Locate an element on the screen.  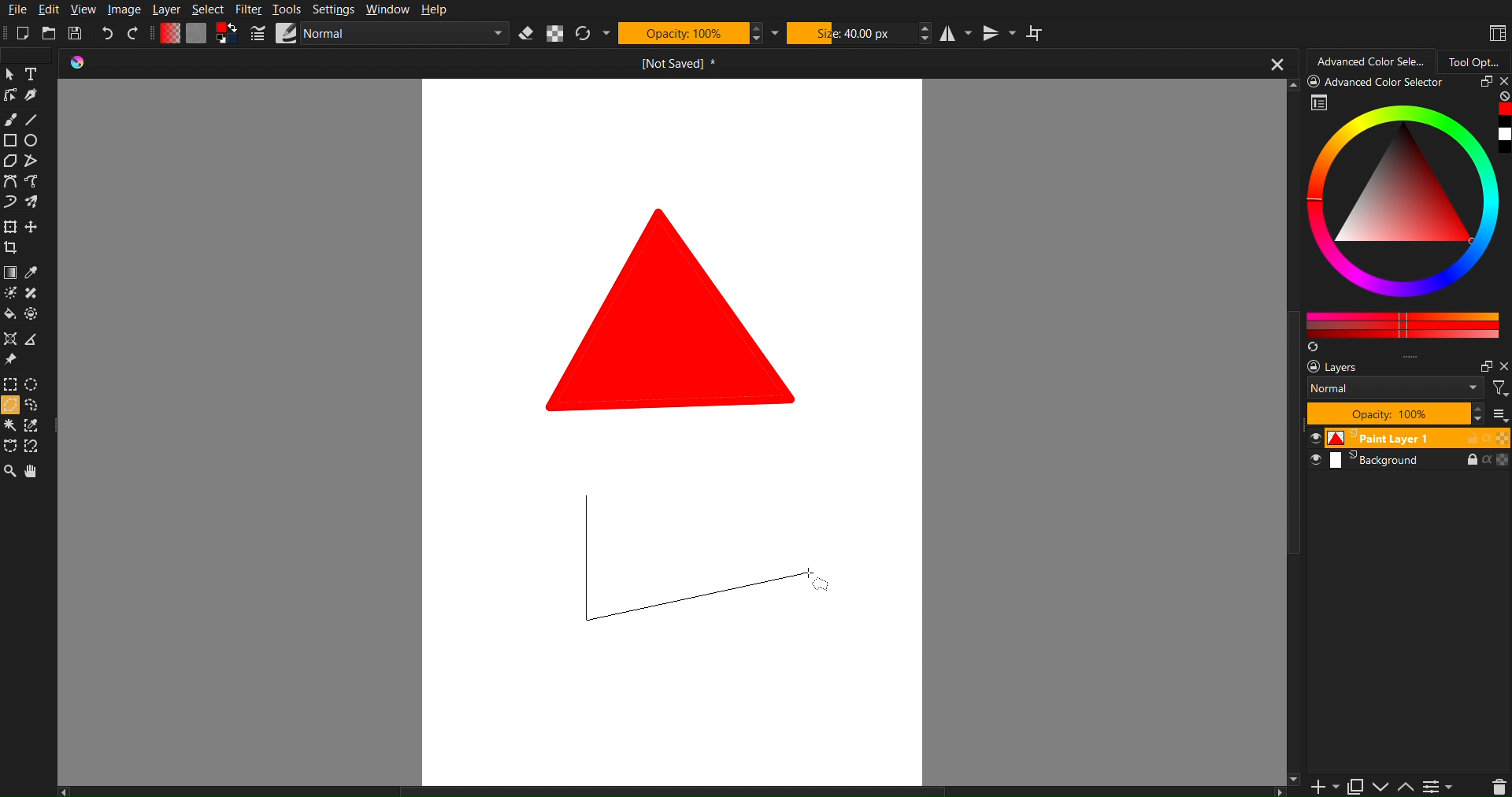
Image is located at coordinates (124, 8).